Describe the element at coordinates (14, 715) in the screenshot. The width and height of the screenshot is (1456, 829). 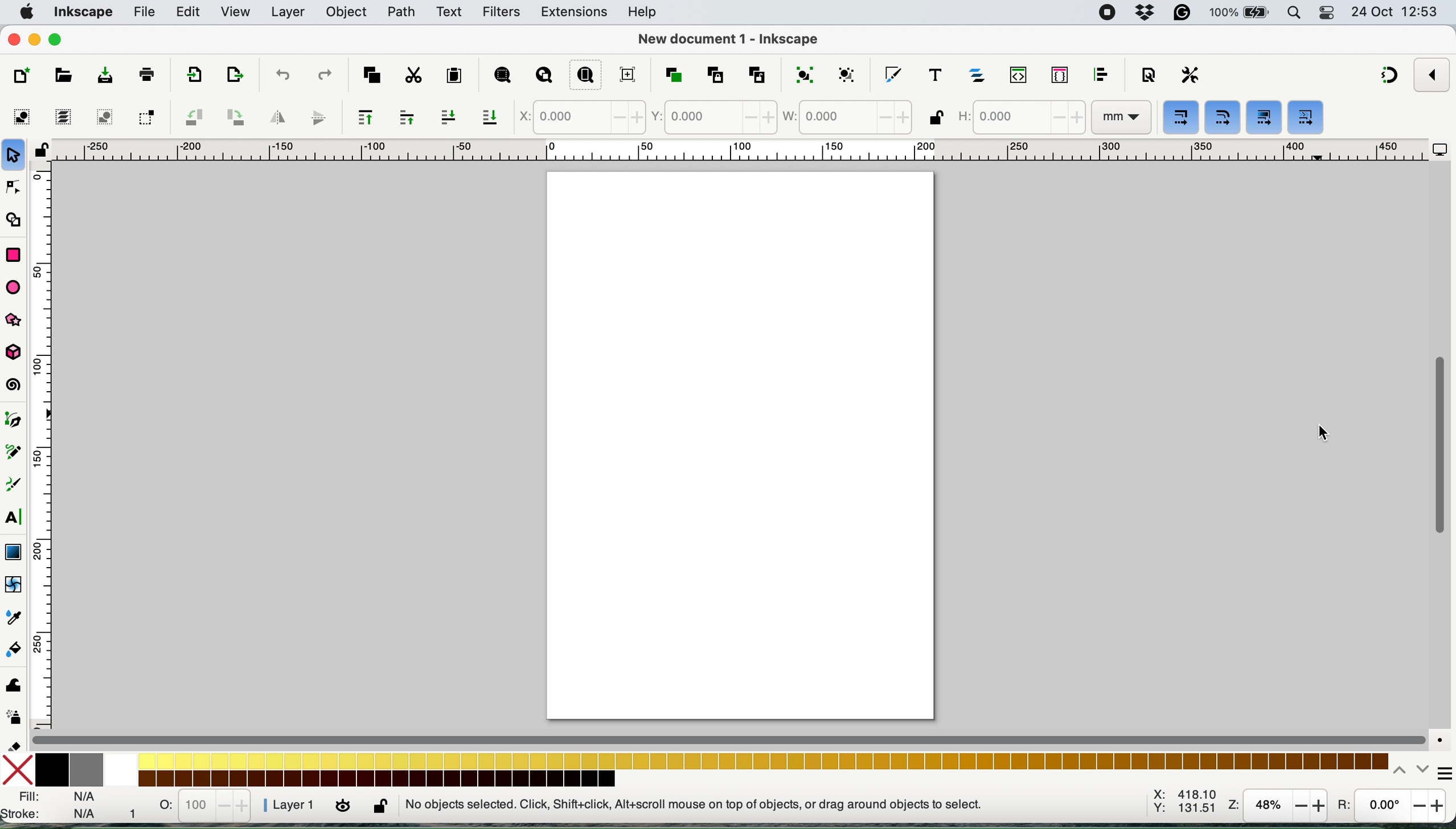
I see `spray tool` at that location.